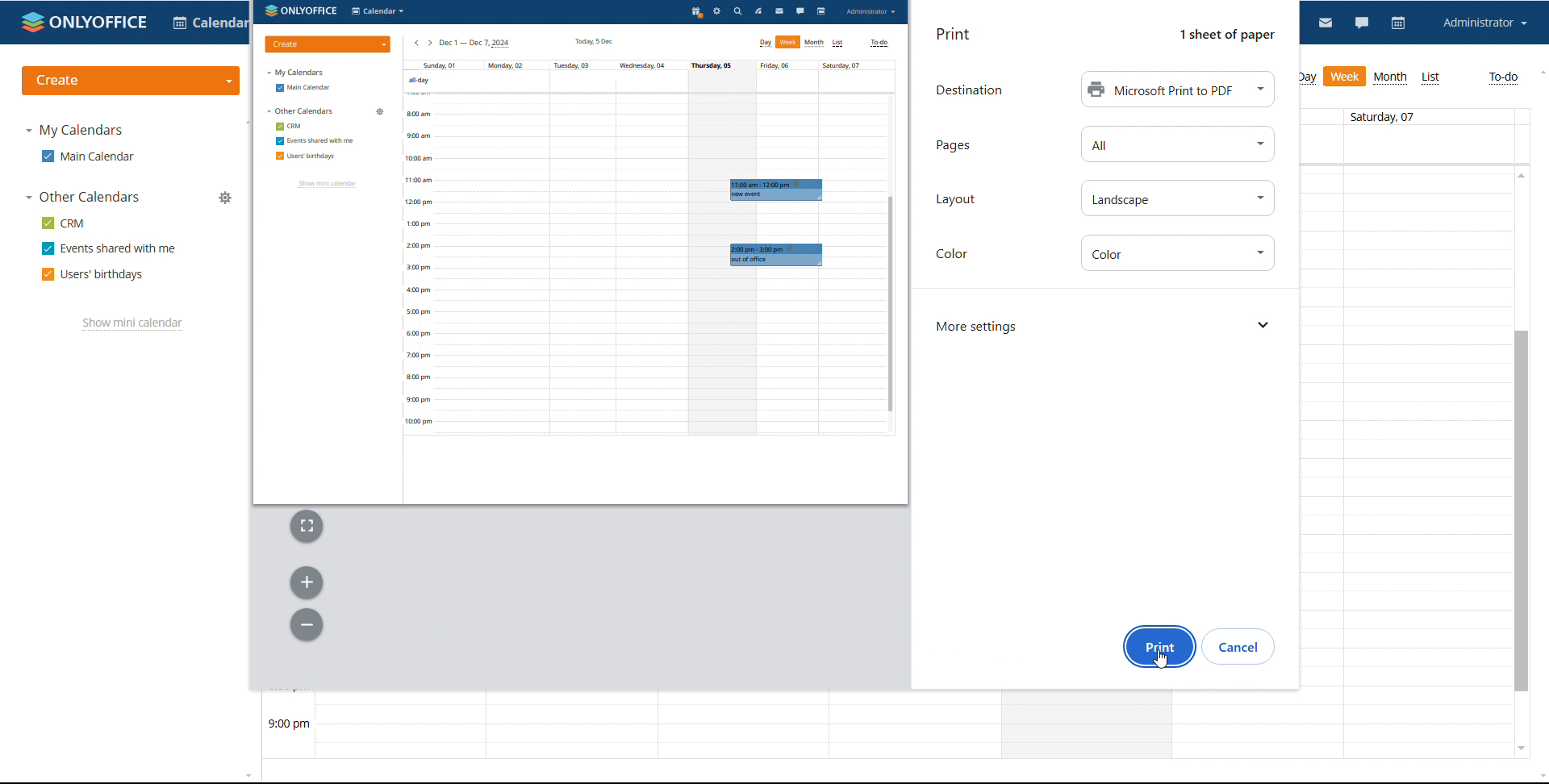  What do you see at coordinates (1176, 143) in the screenshot?
I see `select pages` at bounding box center [1176, 143].